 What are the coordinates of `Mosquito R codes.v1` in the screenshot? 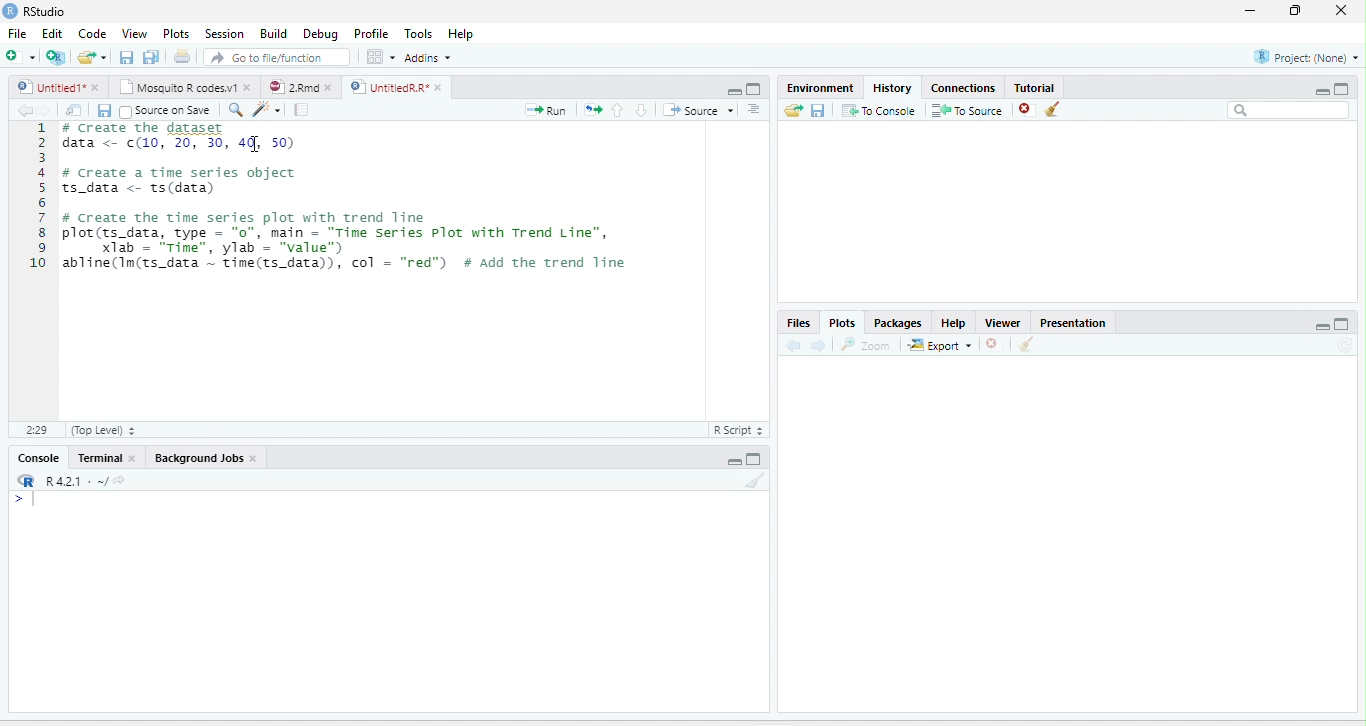 It's located at (176, 87).